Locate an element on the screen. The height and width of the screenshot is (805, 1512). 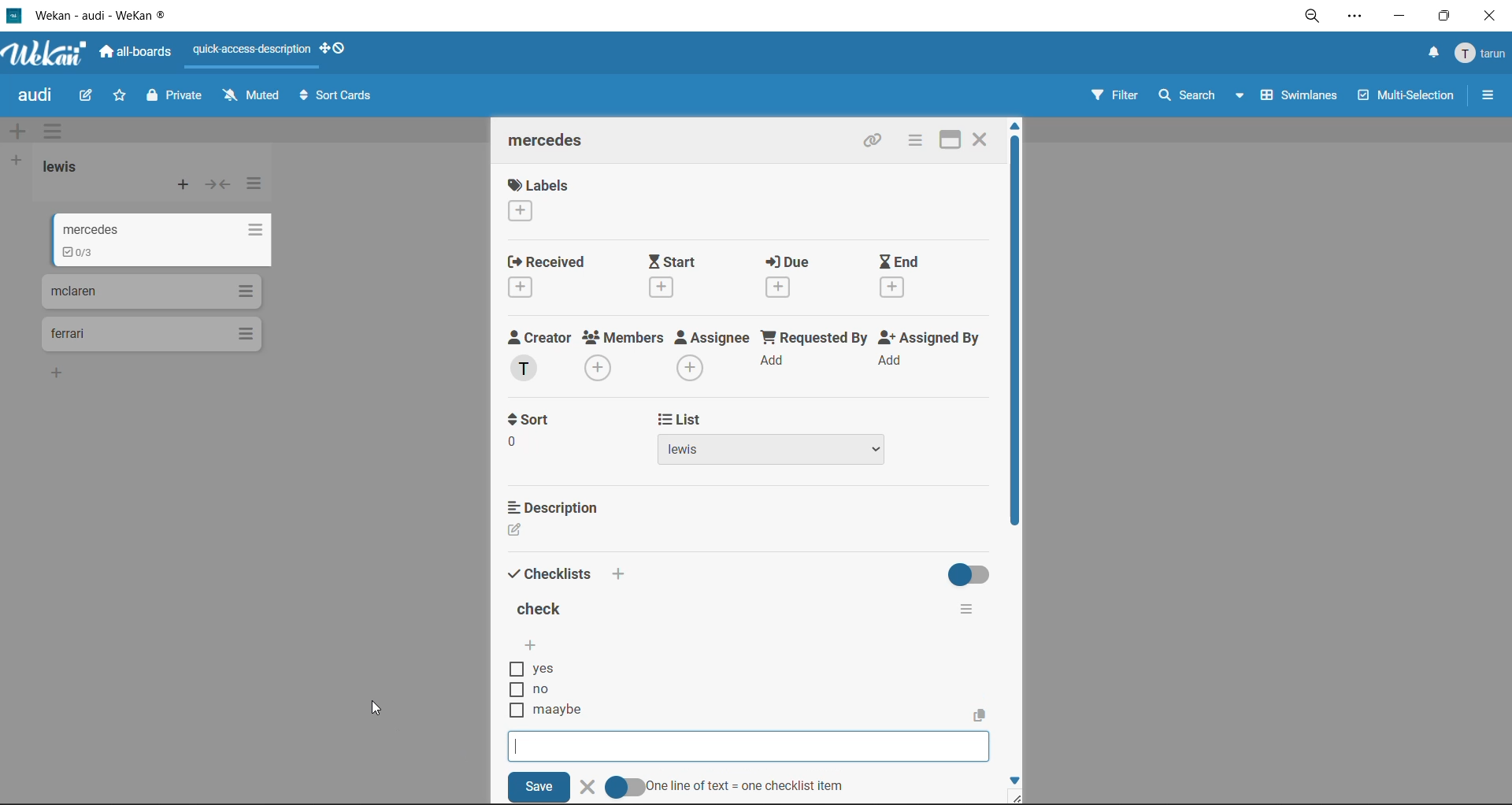
sort cards is located at coordinates (338, 96).